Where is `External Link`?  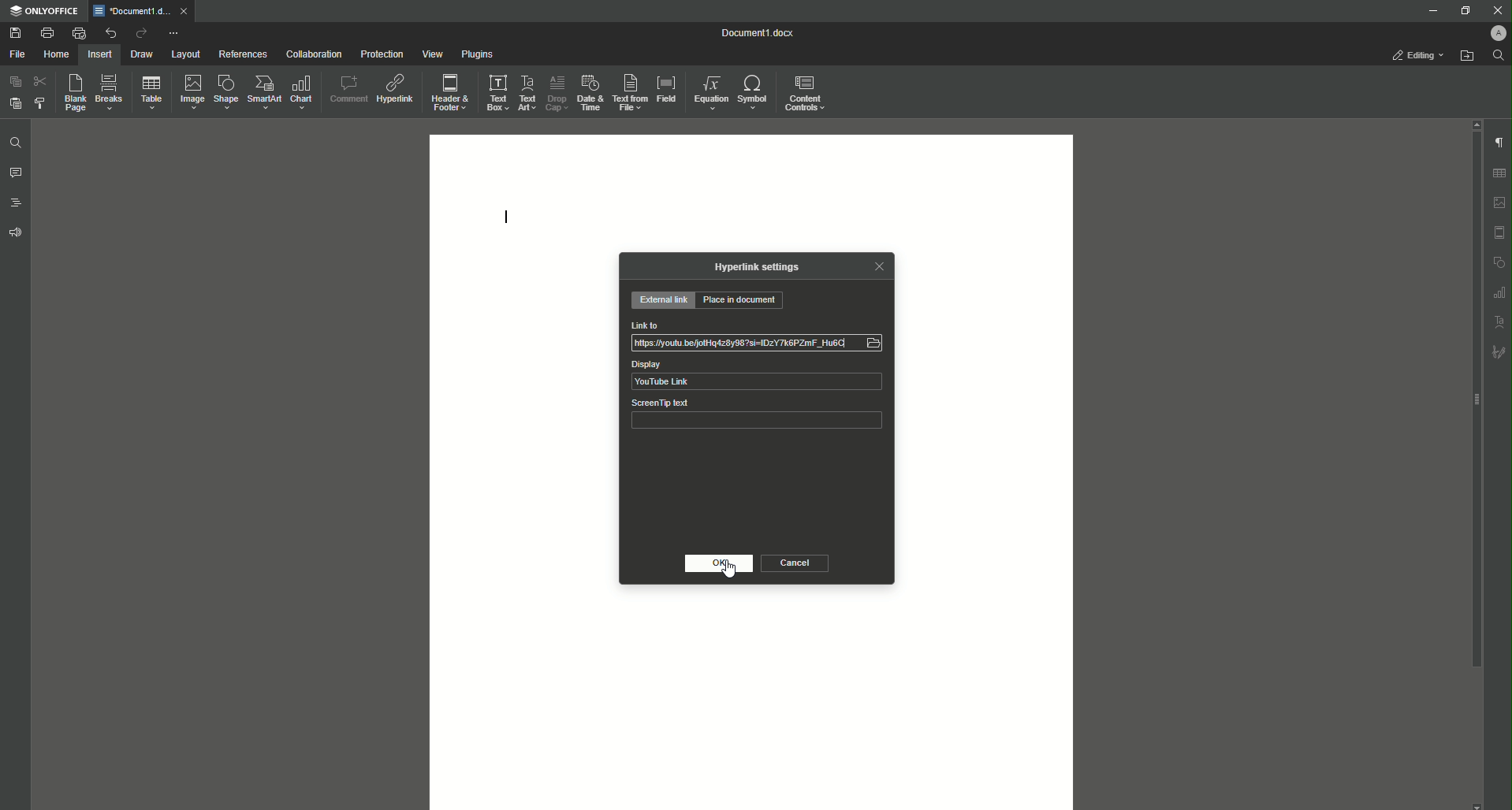
External Link is located at coordinates (663, 299).